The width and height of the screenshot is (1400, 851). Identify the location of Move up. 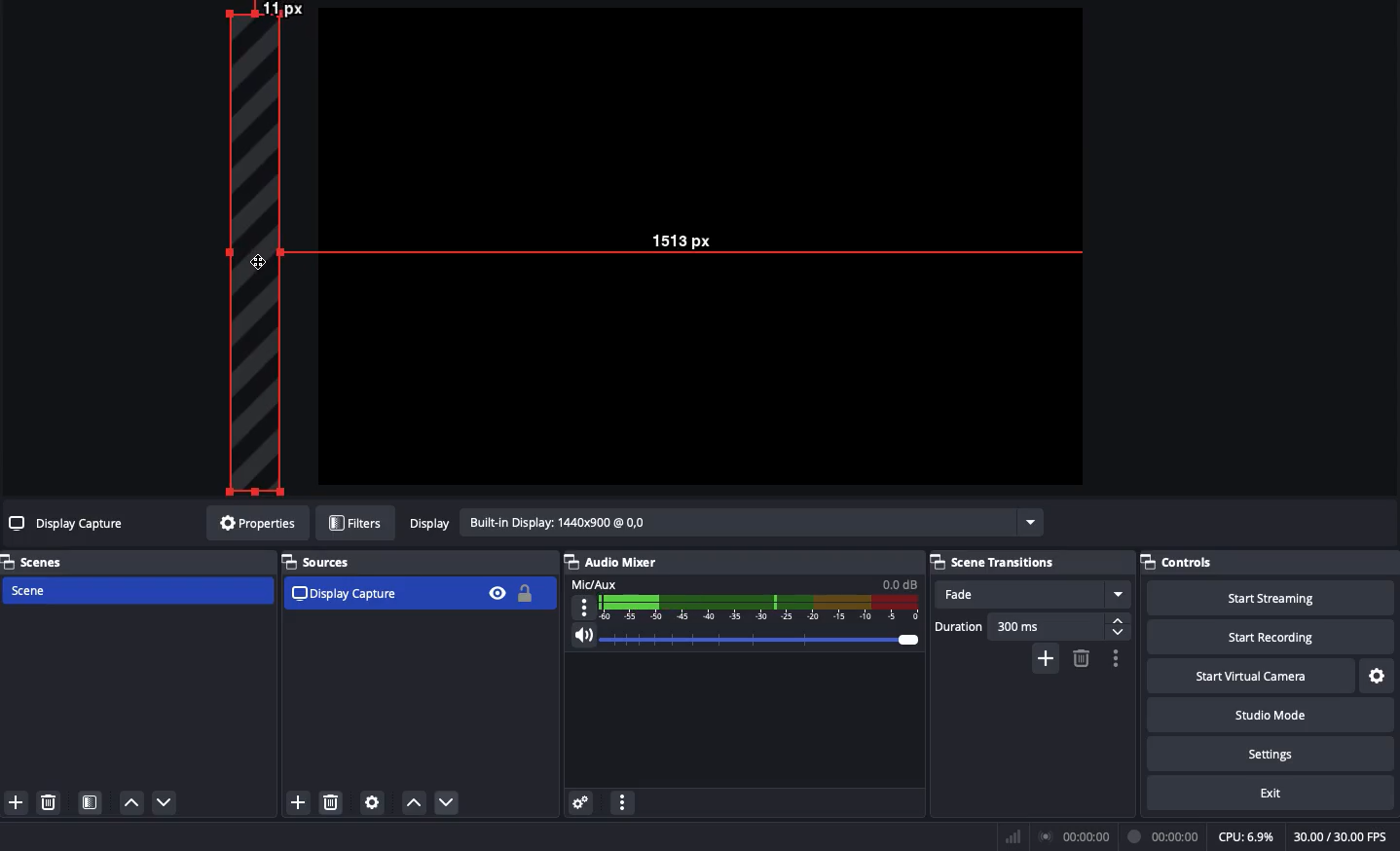
(130, 801).